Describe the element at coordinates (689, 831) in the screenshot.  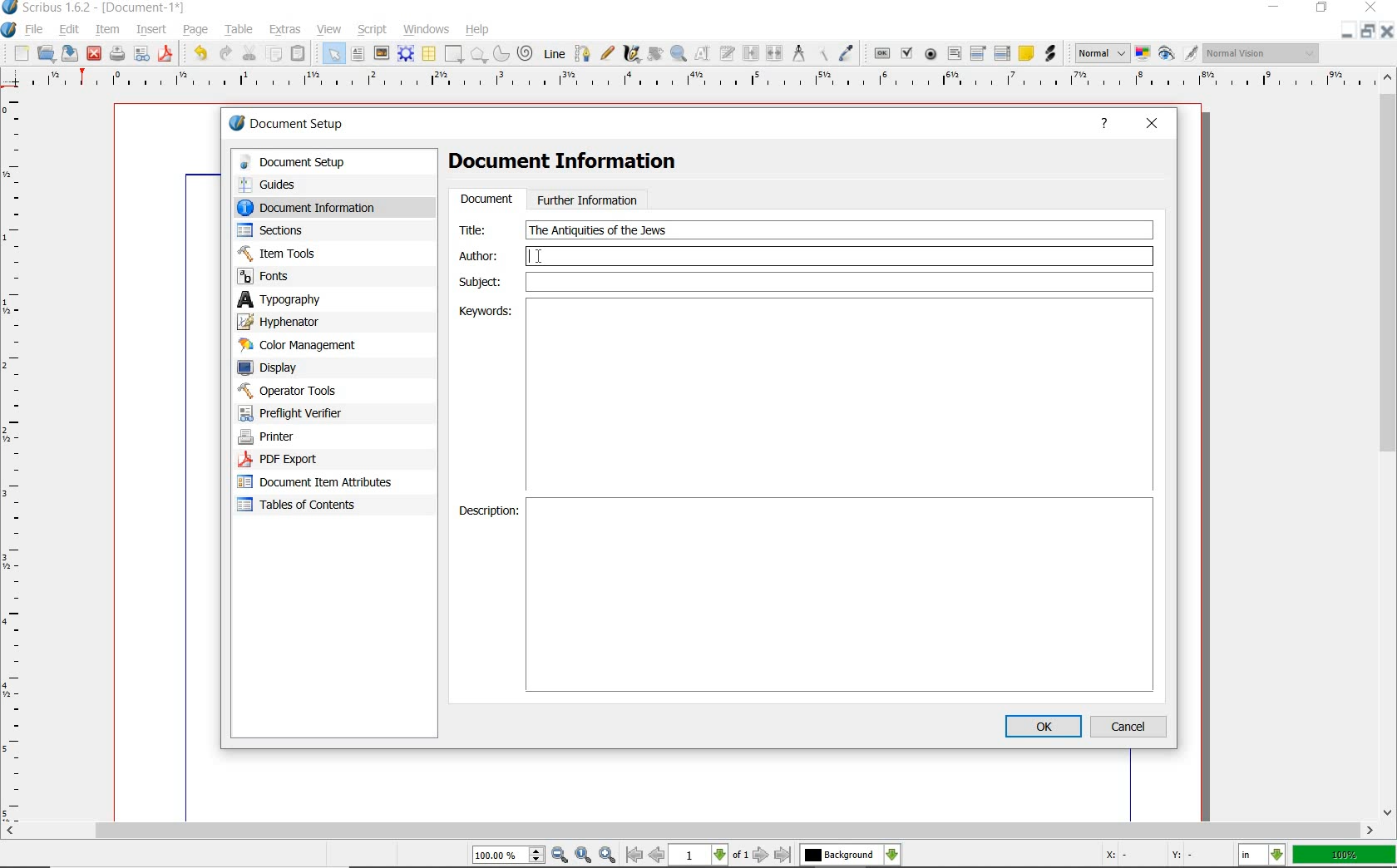
I see `scrollbar` at that location.